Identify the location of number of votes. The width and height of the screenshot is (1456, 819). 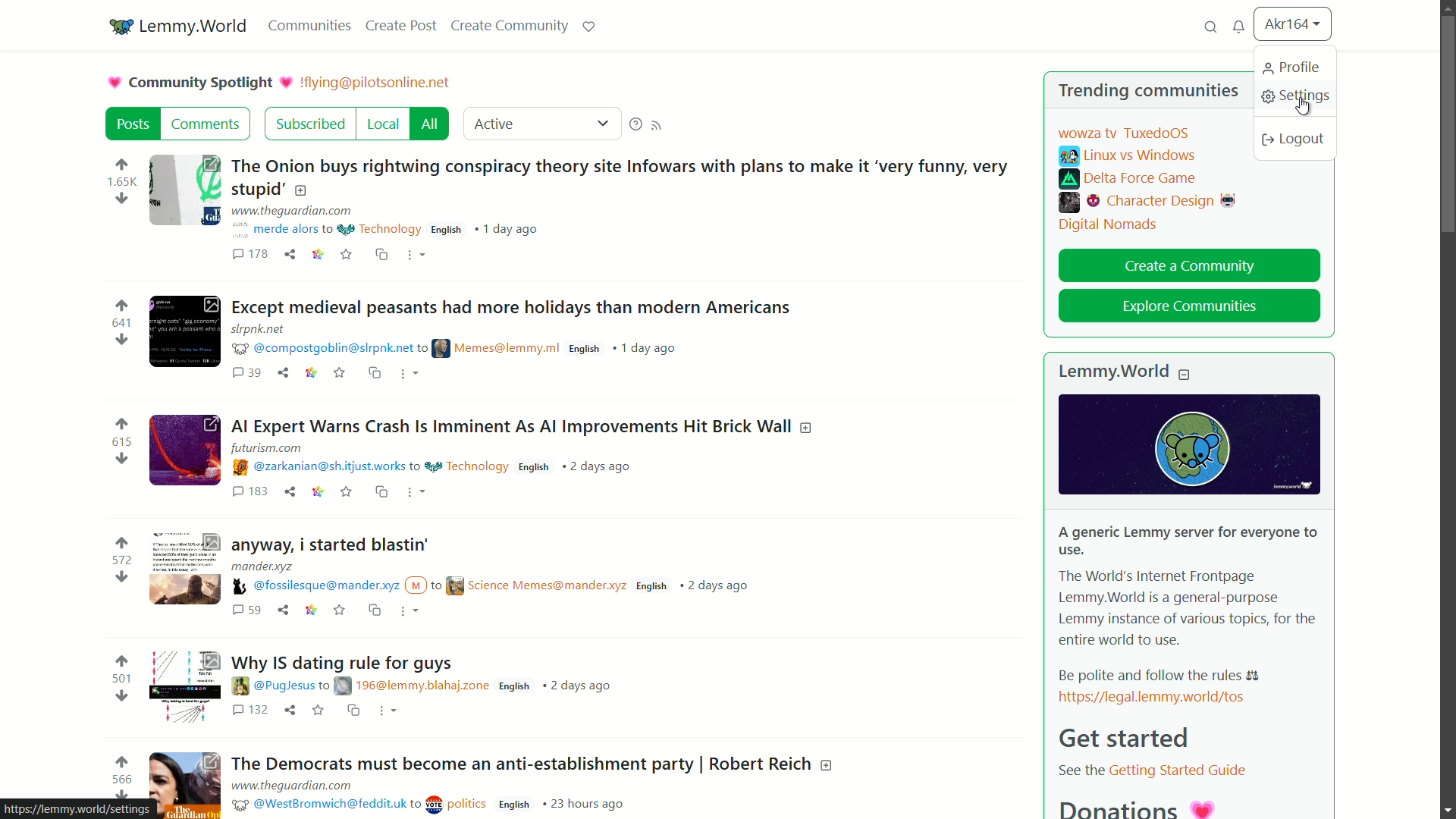
(121, 441).